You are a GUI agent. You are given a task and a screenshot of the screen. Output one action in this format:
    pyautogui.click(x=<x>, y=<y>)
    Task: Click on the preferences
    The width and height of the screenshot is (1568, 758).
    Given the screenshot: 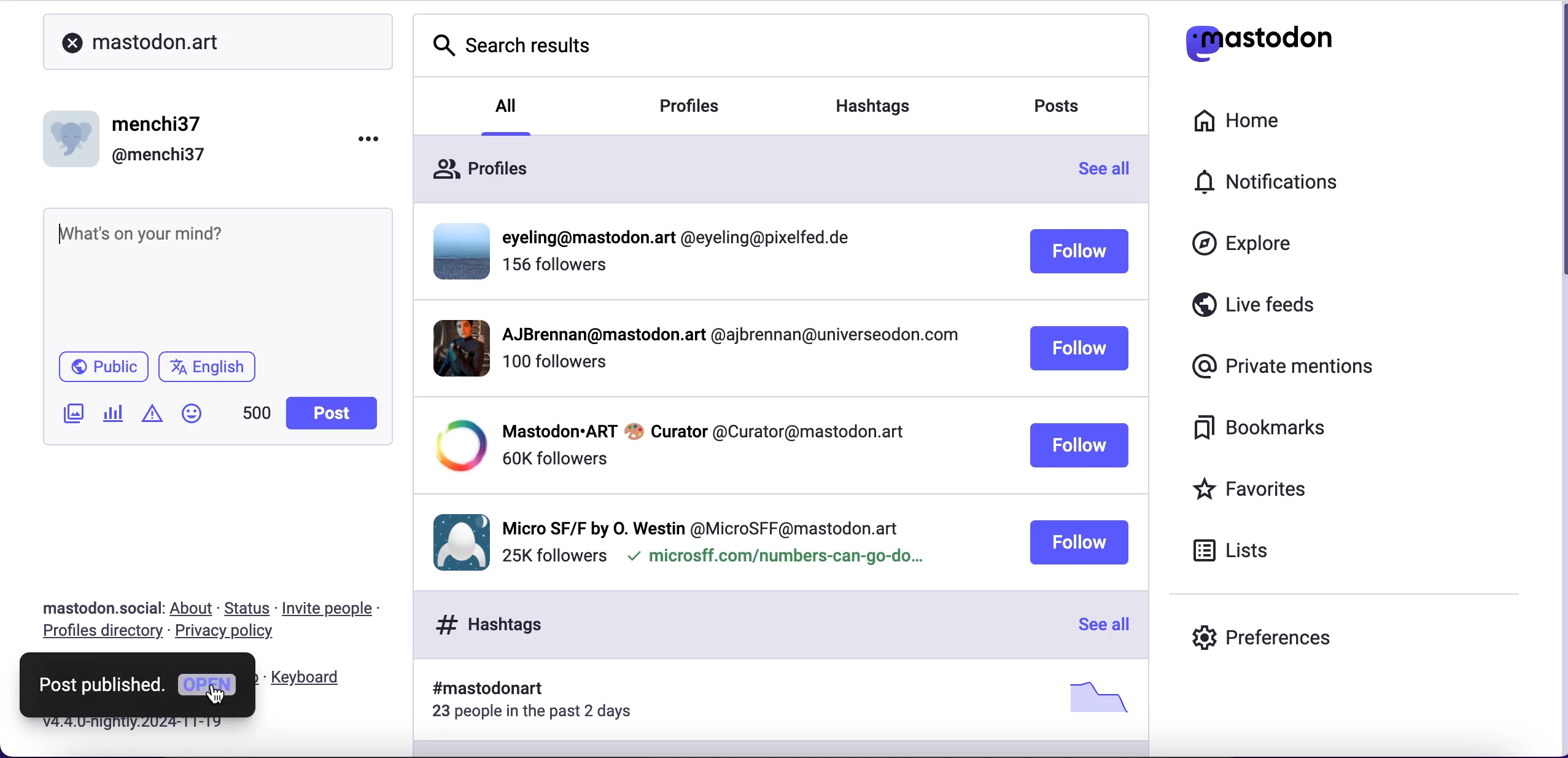 What is the action you would take?
    pyautogui.click(x=1260, y=641)
    